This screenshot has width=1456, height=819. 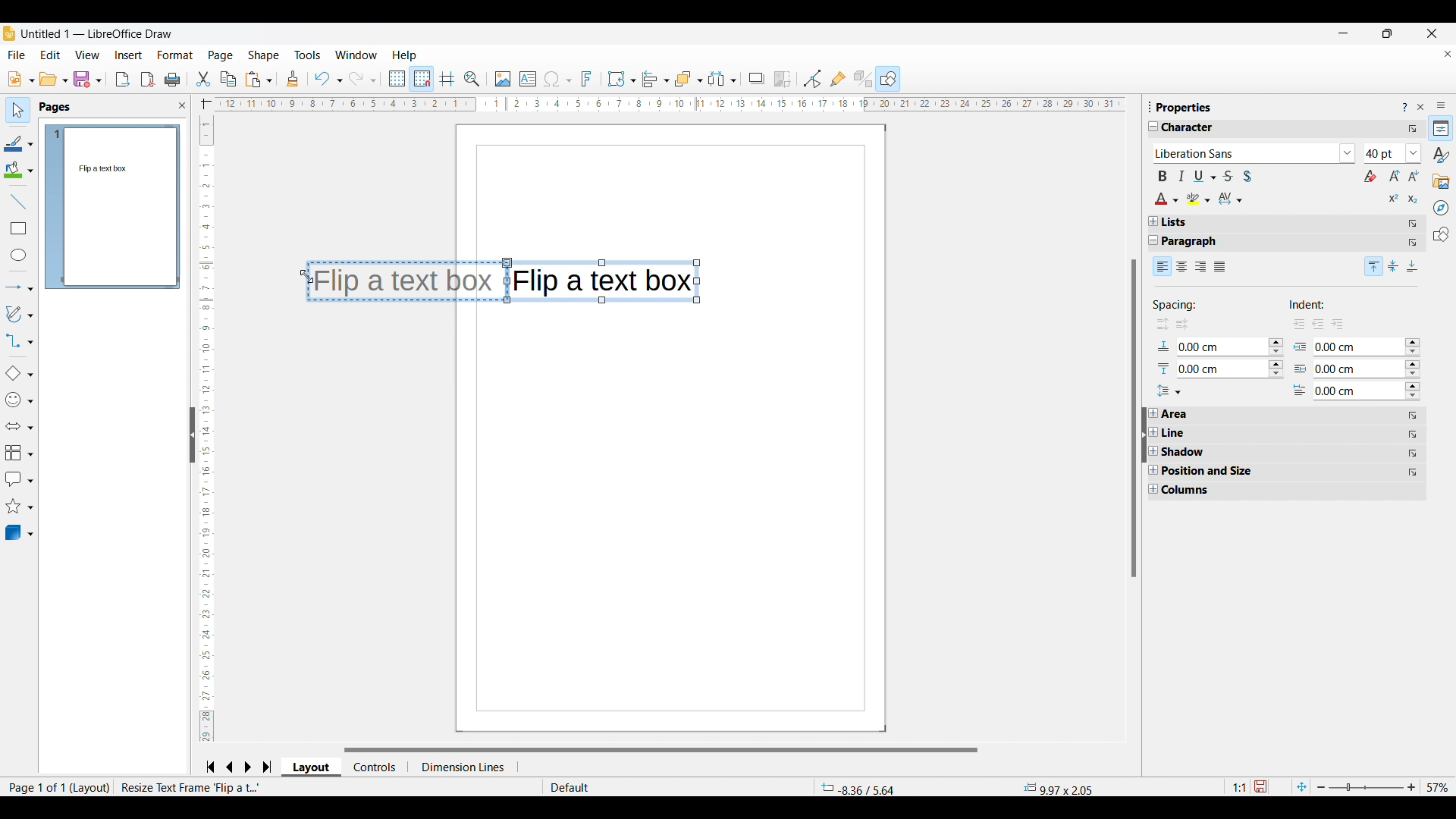 What do you see at coordinates (56, 108) in the screenshot?
I see `Sidebar title` at bounding box center [56, 108].